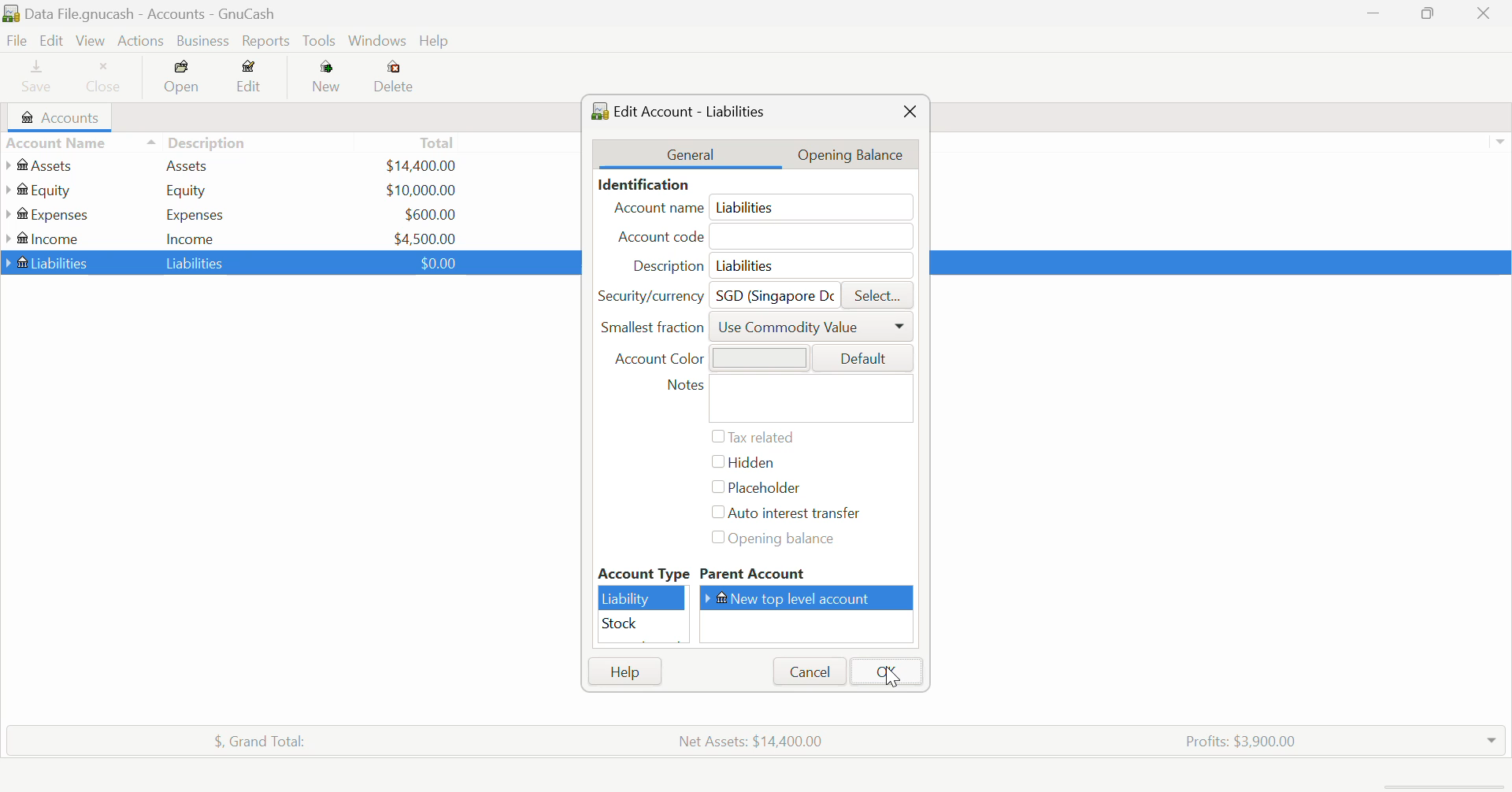 The height and width of the screenshot is (792, 1512). I want to click on Notes, so click(786, 398).